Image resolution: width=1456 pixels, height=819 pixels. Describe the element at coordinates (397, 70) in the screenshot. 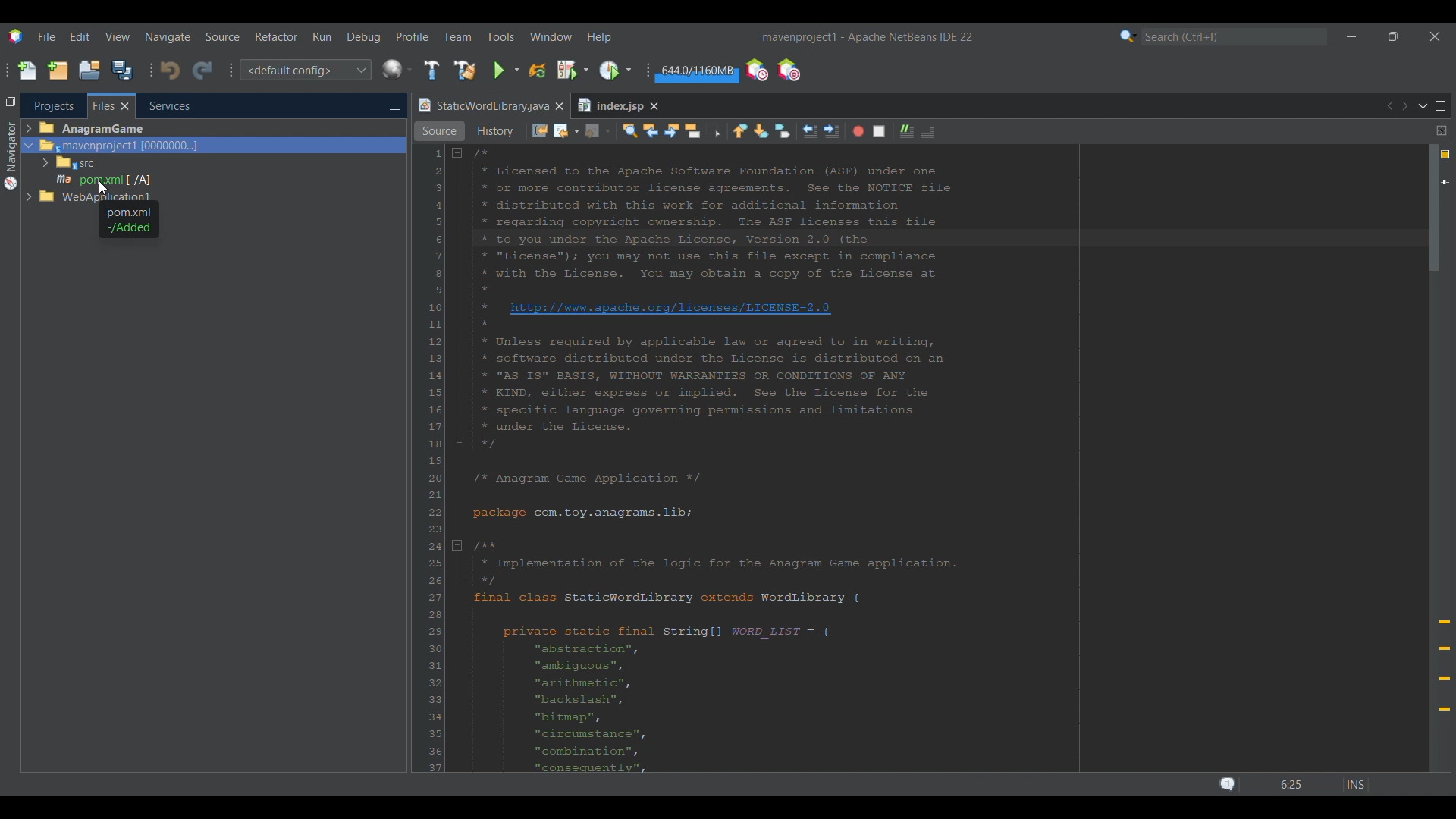

I see `IDE's default browser` at that location.